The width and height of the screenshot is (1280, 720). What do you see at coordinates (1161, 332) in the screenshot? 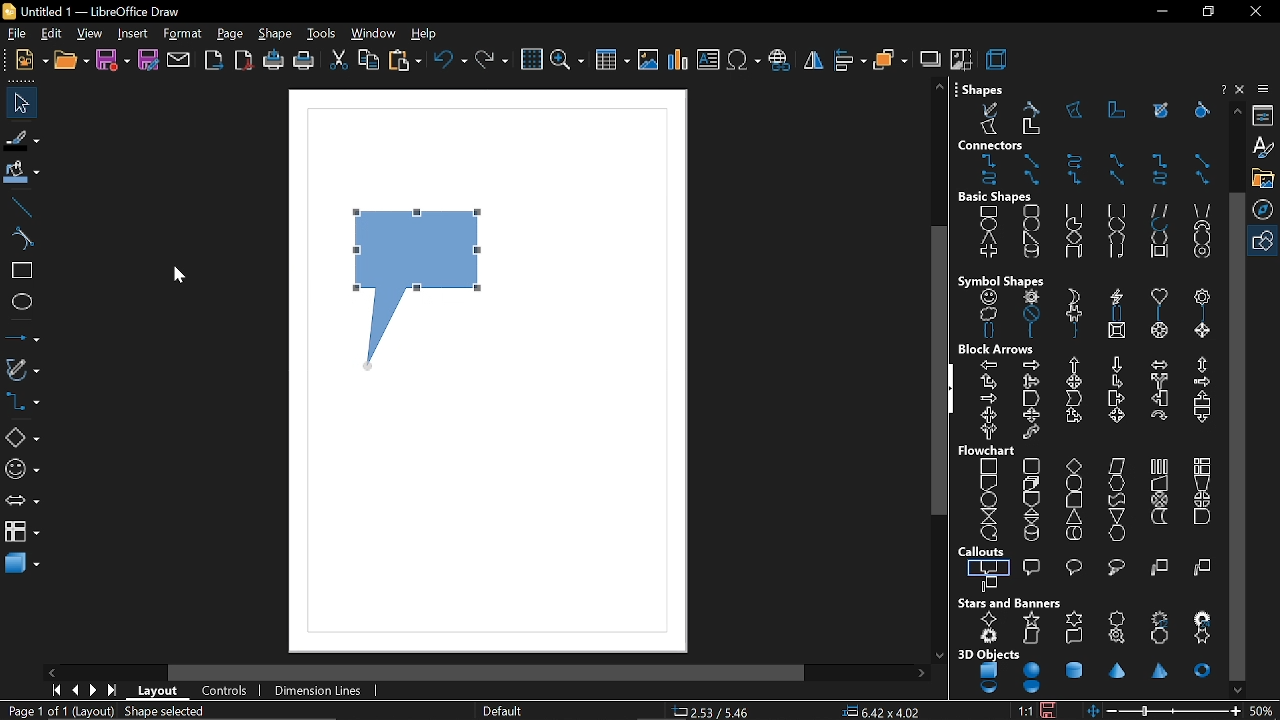
I see `octagon bevel` at bounding box center [1161, 332].